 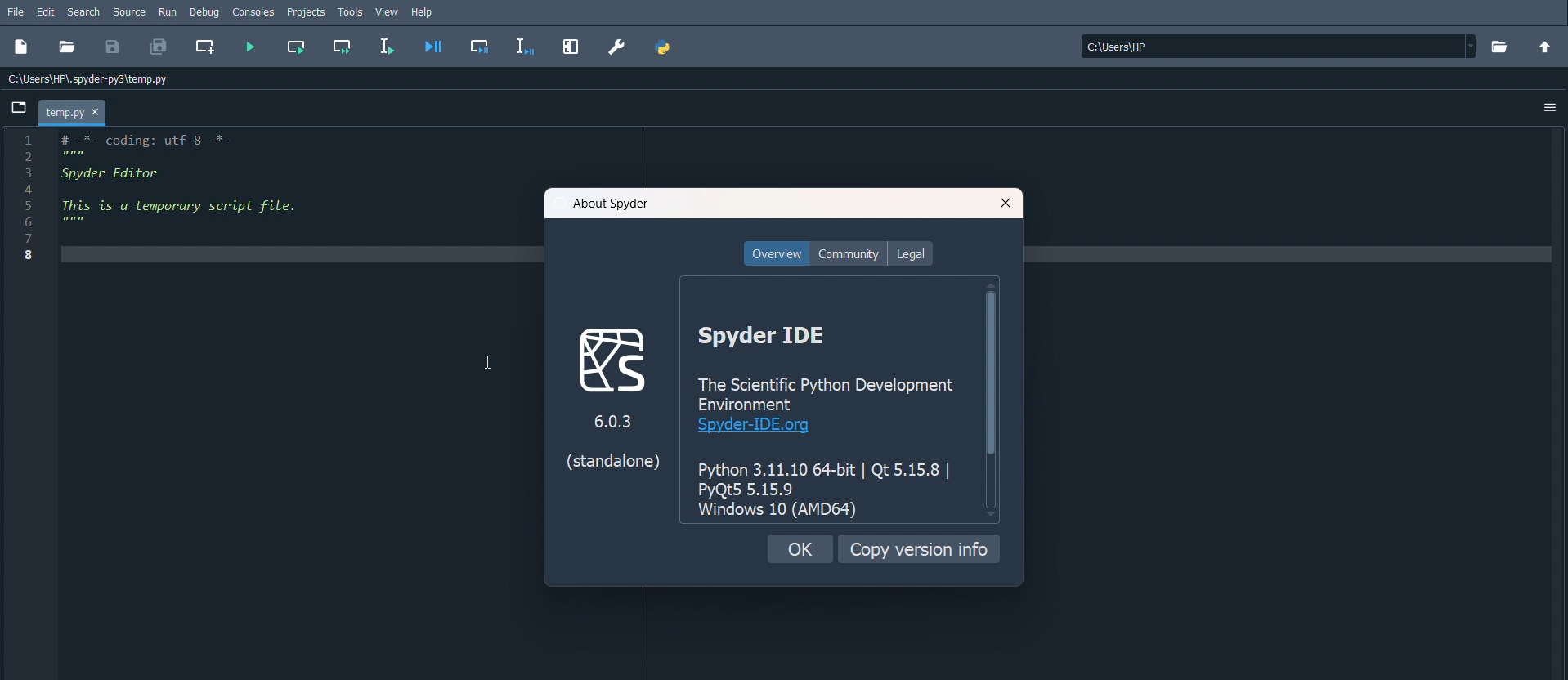 I want to click on Browse tabs, so click(x=18, y=108).